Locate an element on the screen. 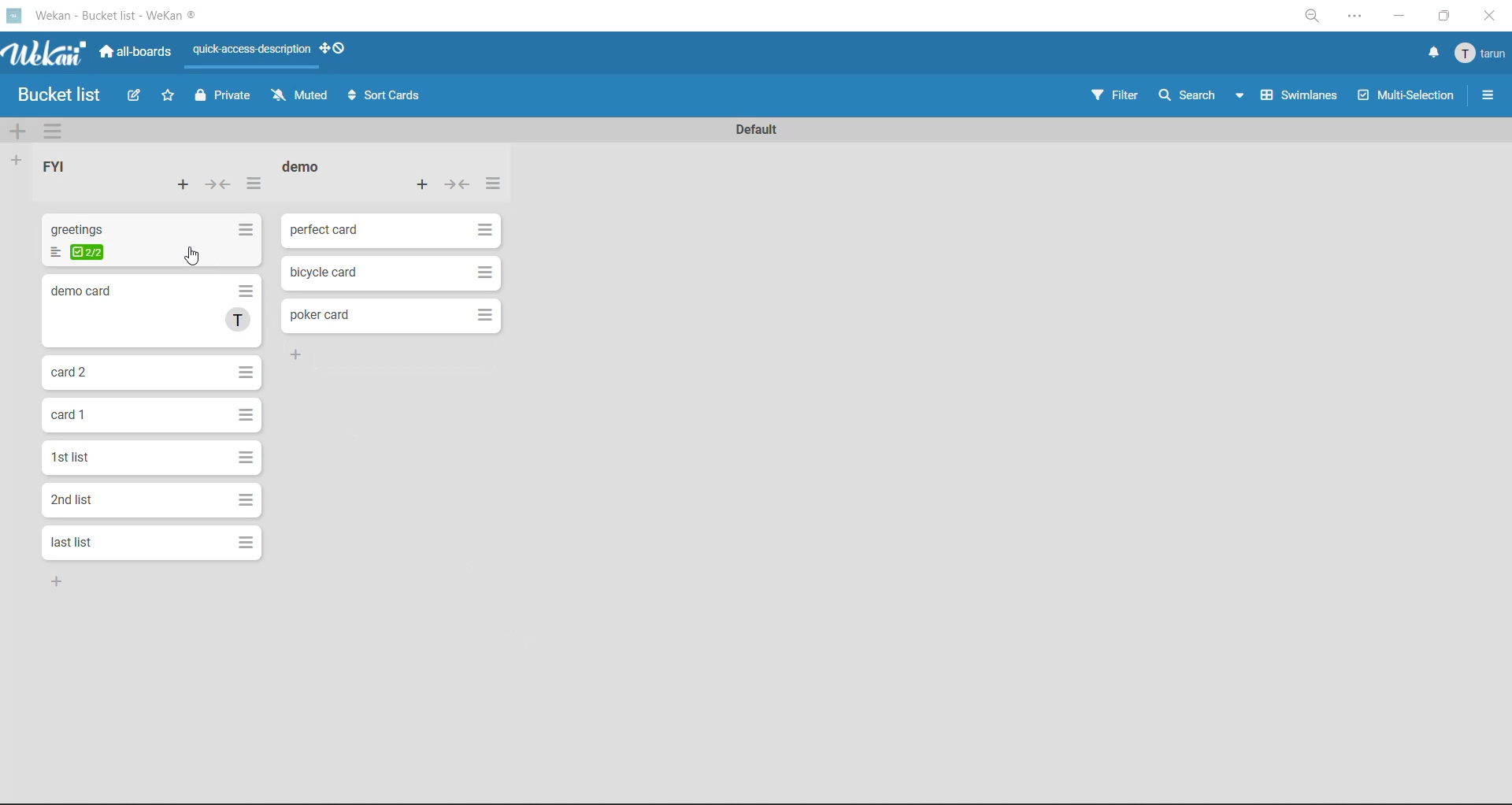 The height and width of the screenshot is (805, 1512). cards is located at coordinates (150, 243).